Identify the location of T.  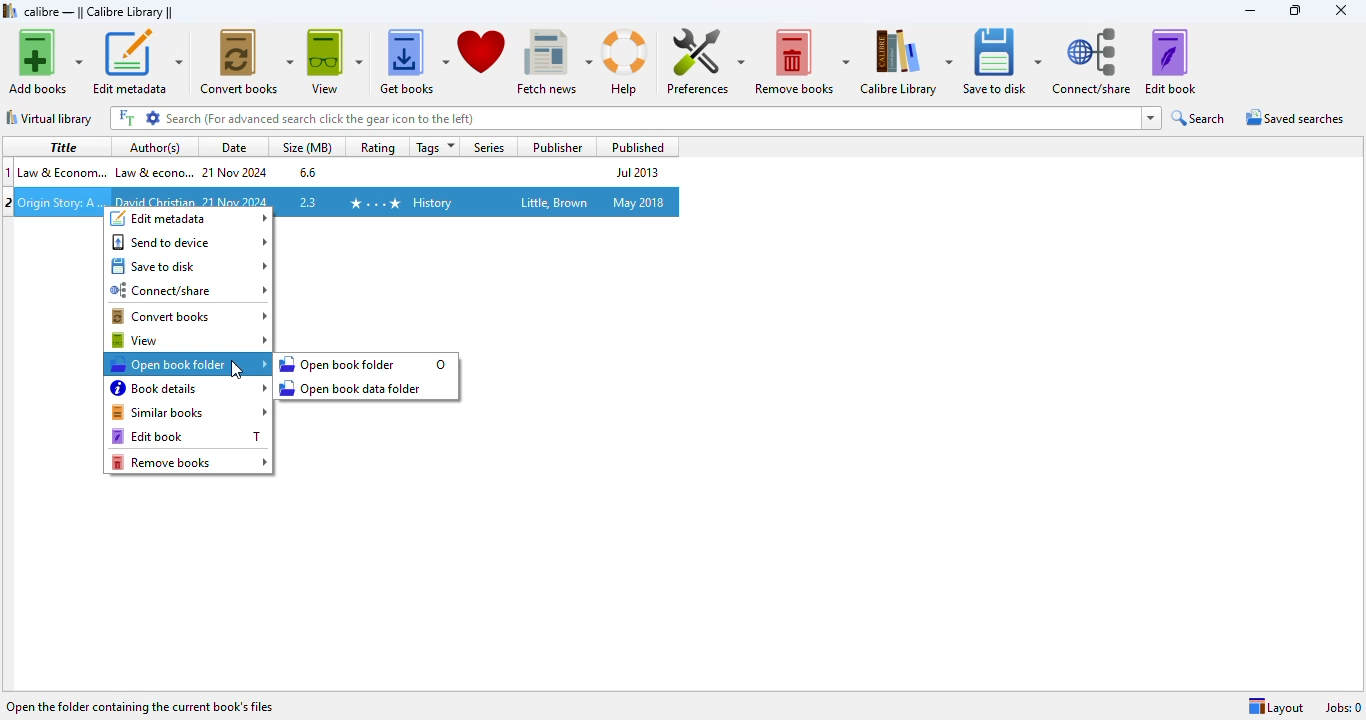
(256, 436).